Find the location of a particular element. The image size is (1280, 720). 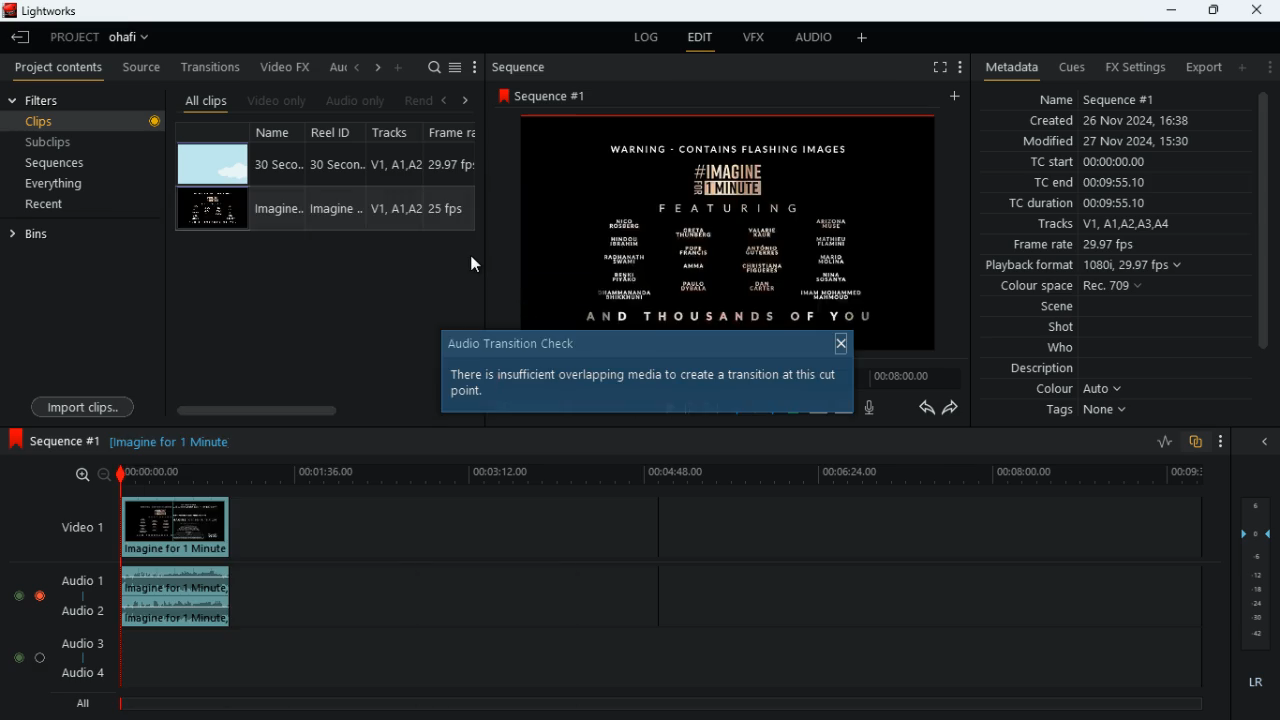

who is located at coordinates (1065, 348).